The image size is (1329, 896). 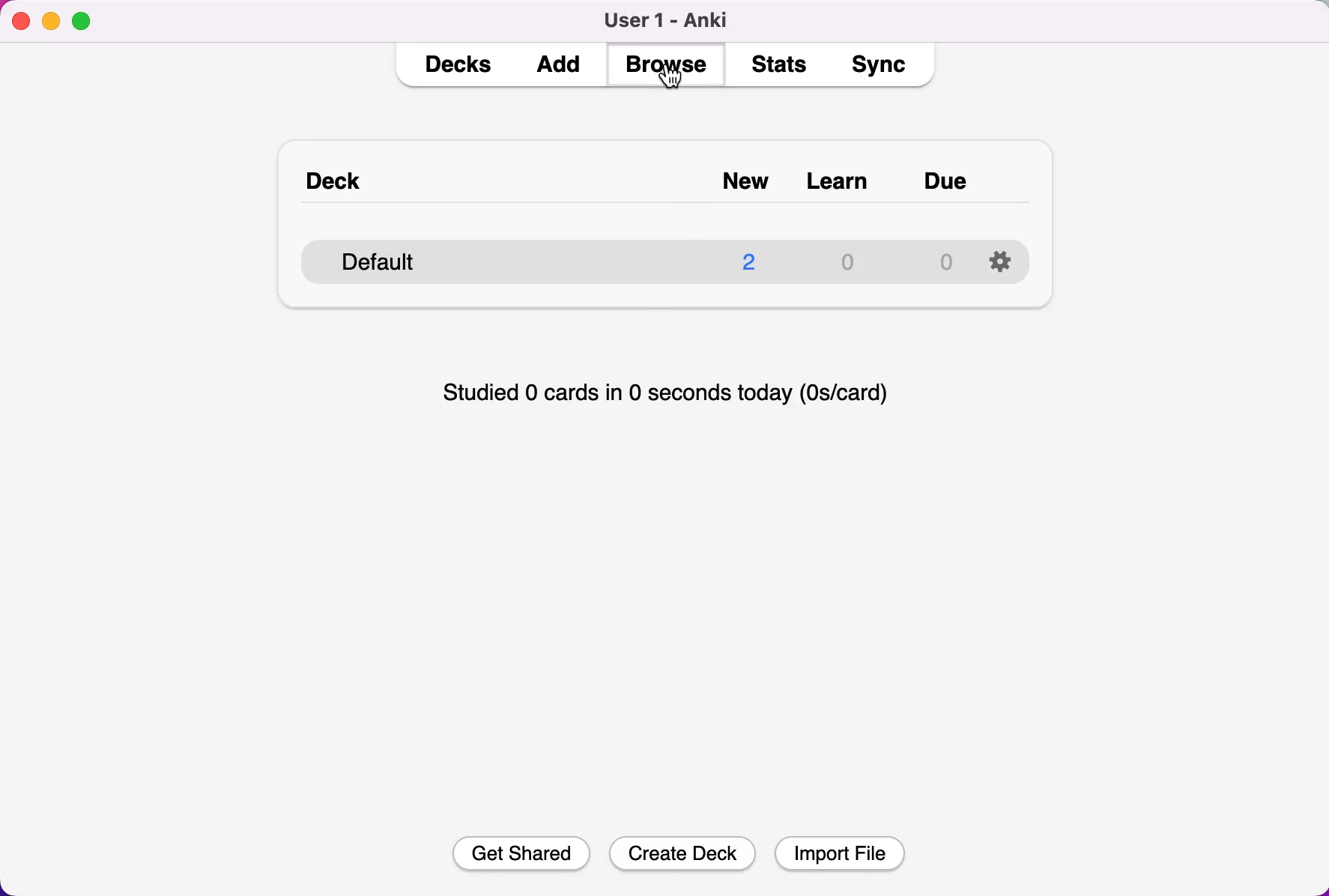 I want to click on minimize, so click(x=54, y=22).